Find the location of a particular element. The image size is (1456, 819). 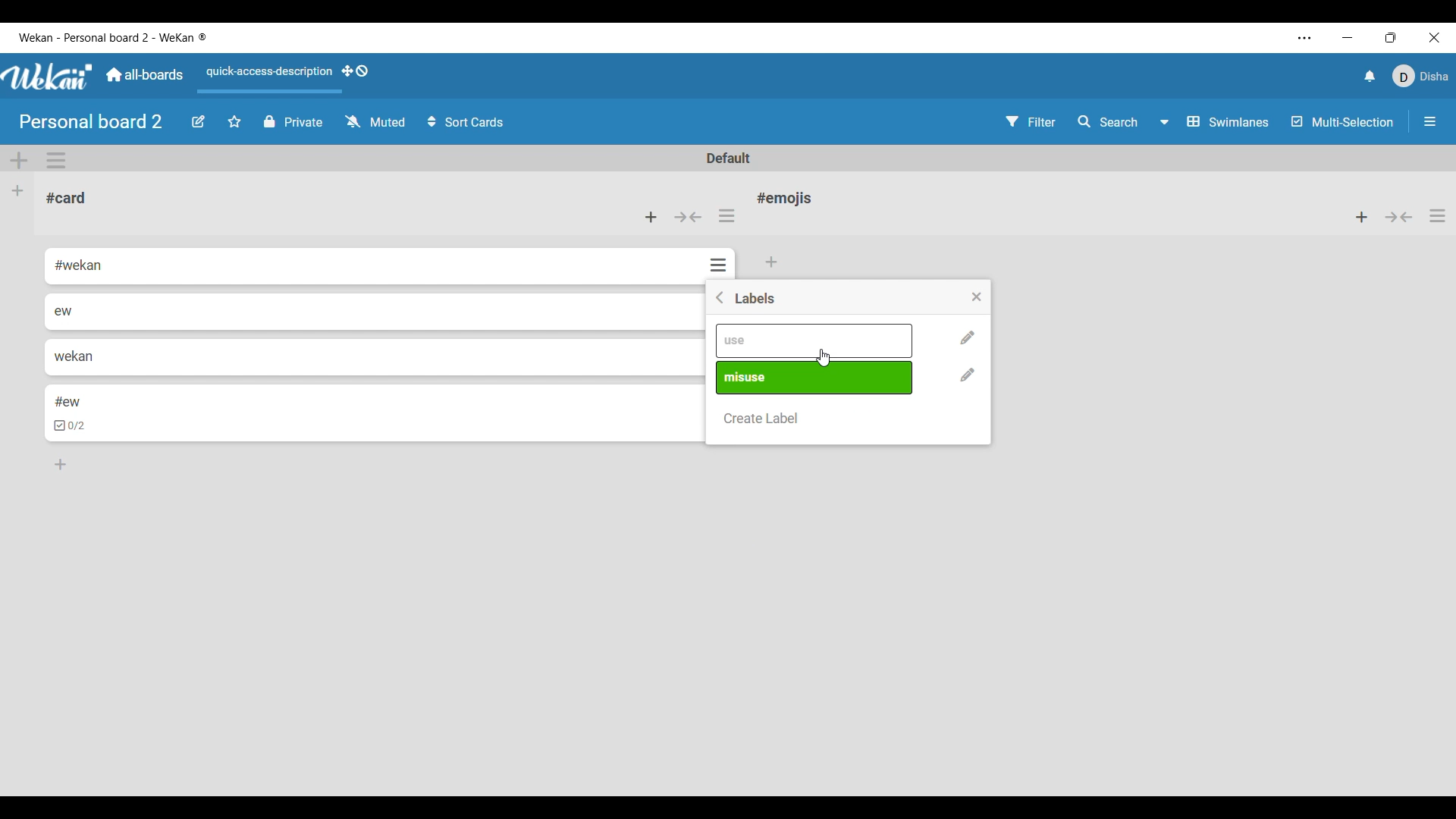

Add card to top of list is located at coordinates (1361, 217).